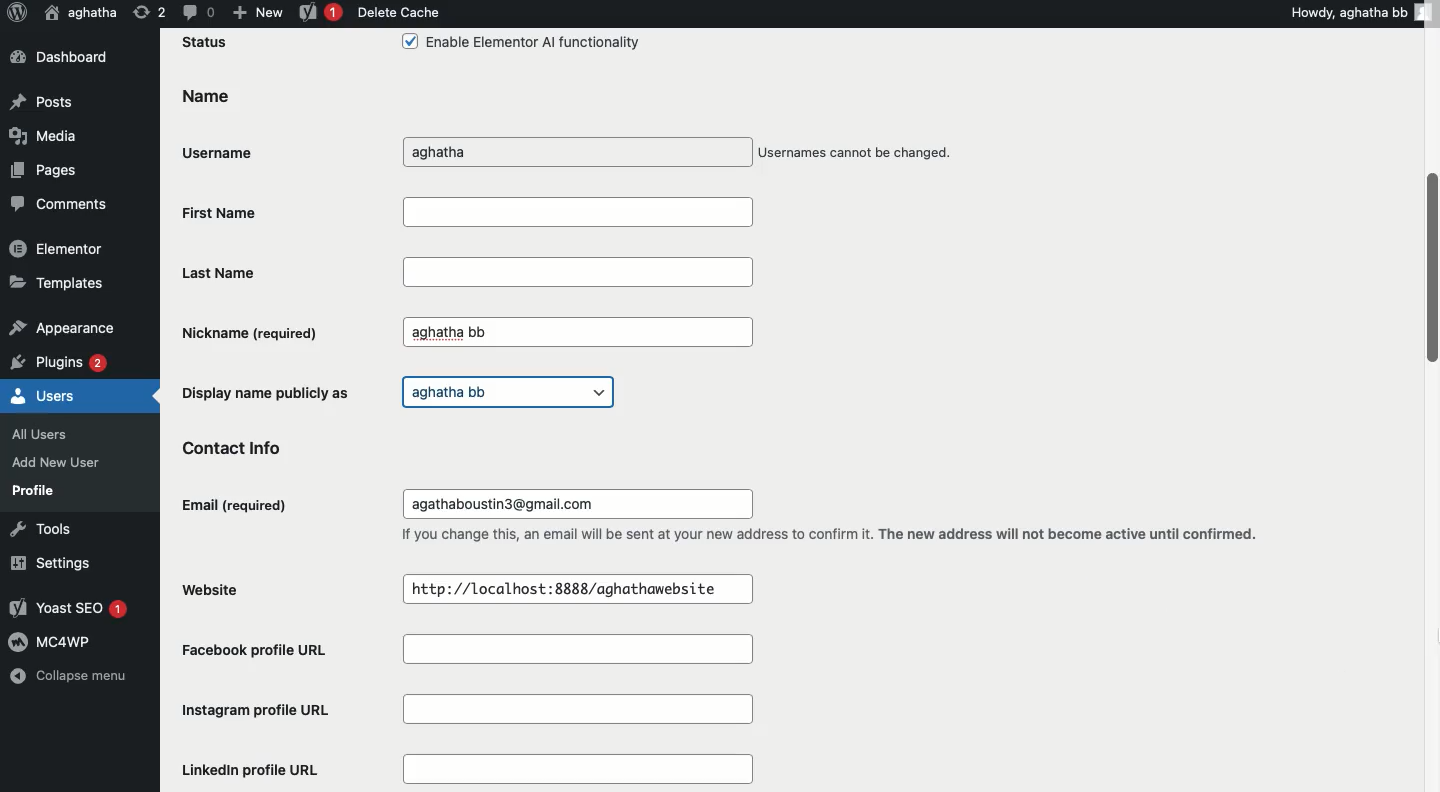 The height and width of the screenshot is (792, 1440). Describe the element at coordinates (475, 652) in the screenshot. I see `Facebook profile URL` at that location.